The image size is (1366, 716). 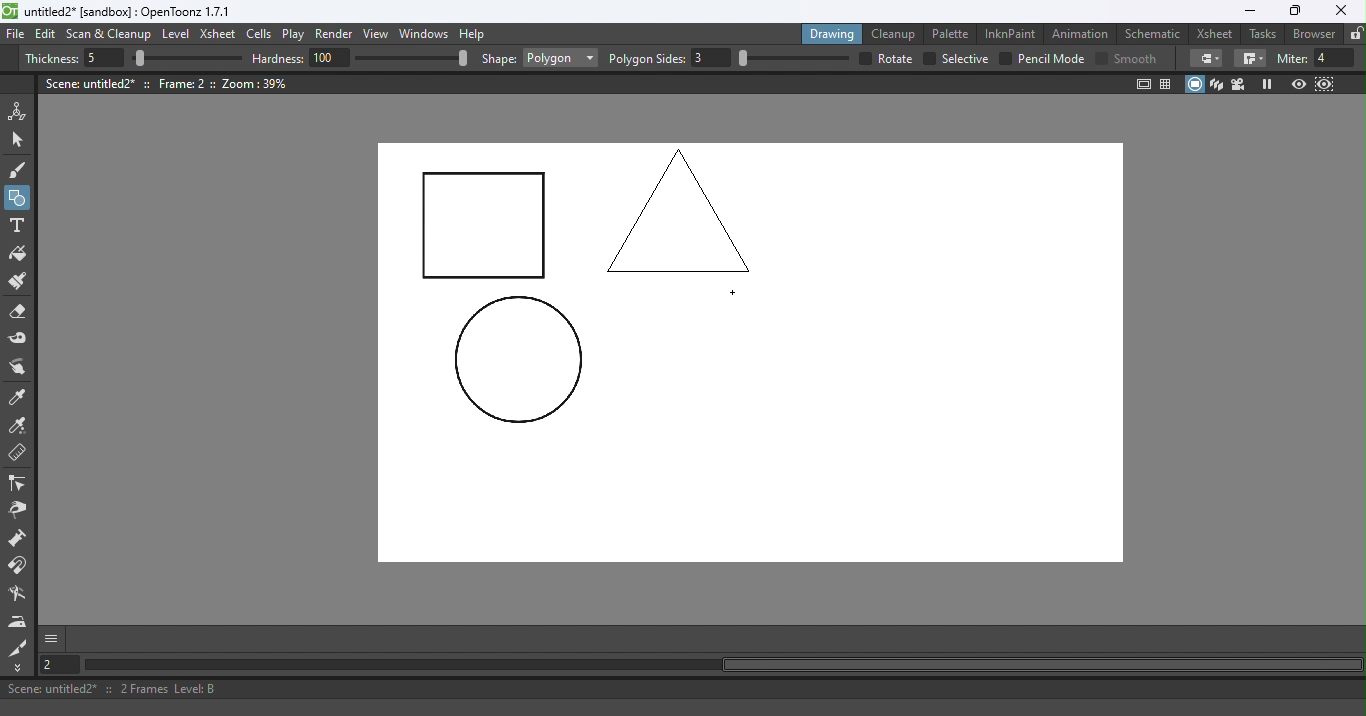 I want to click on Tasks, so click(x=1264, y=34).